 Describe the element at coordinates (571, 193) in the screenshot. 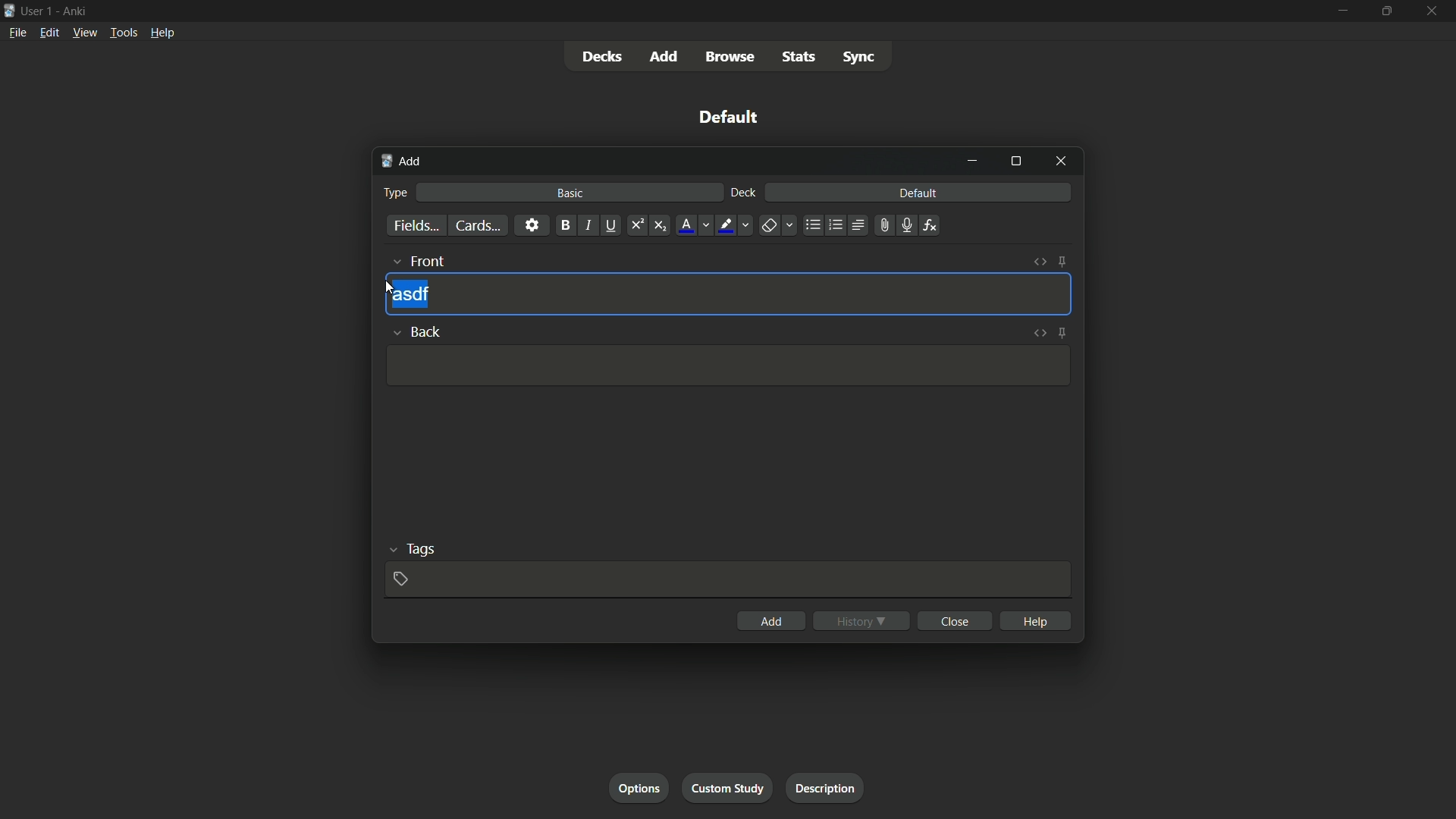

I see `basic` at that location.